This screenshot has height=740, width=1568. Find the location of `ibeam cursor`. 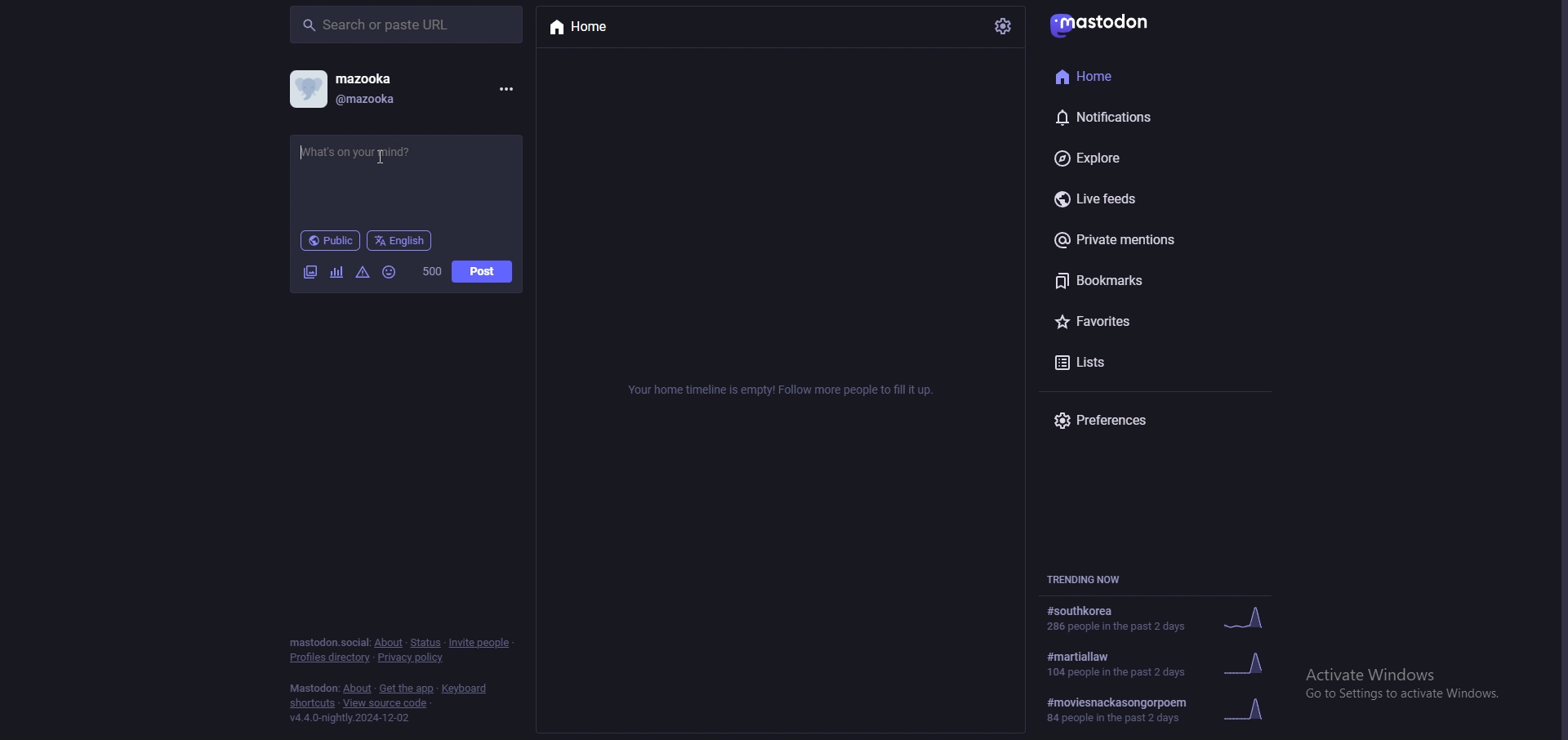

ibeam cursor is located at coordinates (387, 156).